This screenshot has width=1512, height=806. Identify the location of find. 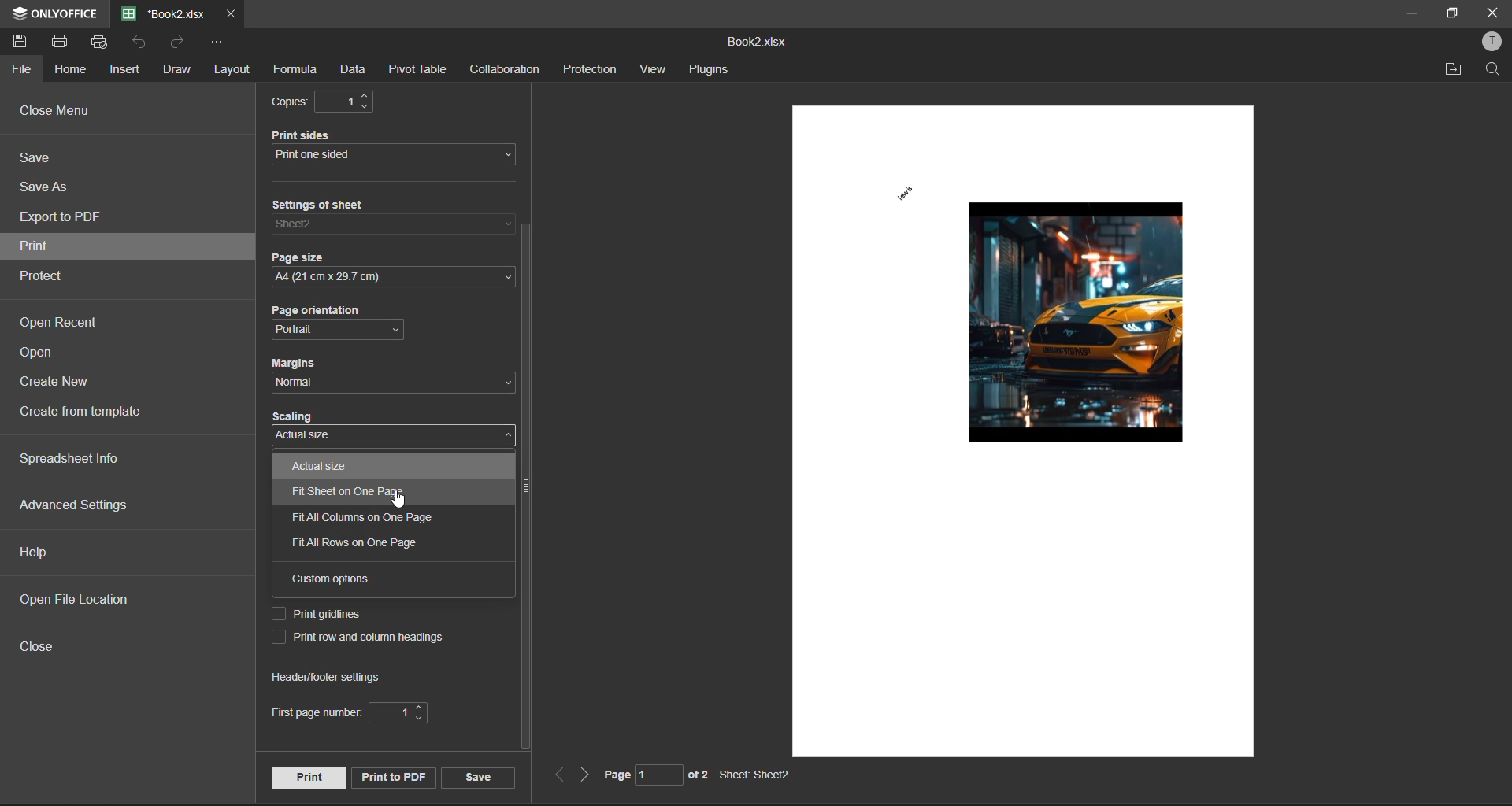
(1494, 68).